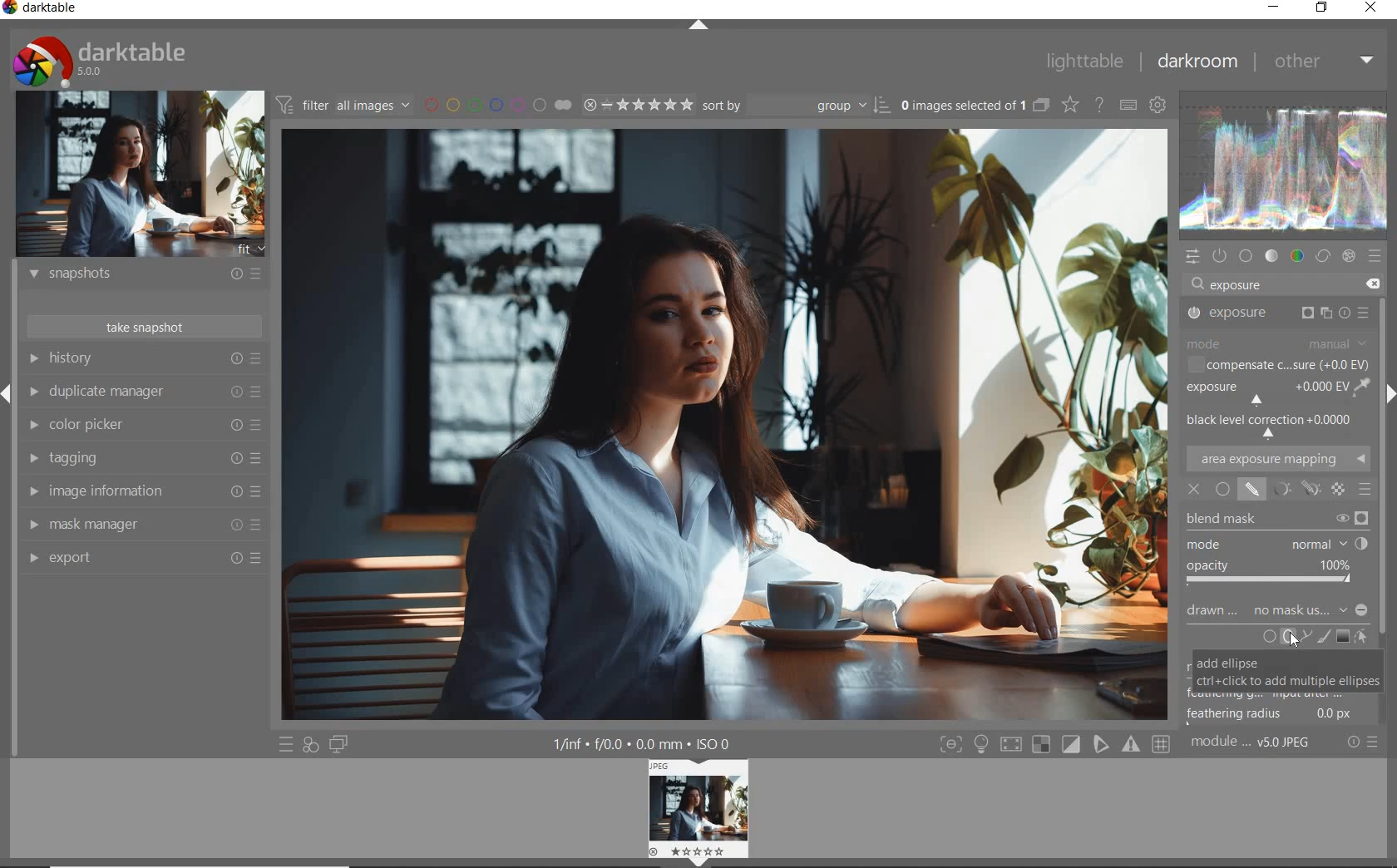 This screenshot has width=1397, height=868. What do you see at coordinates (1276, 520) in the screenshot?
I see `BLEND MASK` at bounding box center [1276, 520].